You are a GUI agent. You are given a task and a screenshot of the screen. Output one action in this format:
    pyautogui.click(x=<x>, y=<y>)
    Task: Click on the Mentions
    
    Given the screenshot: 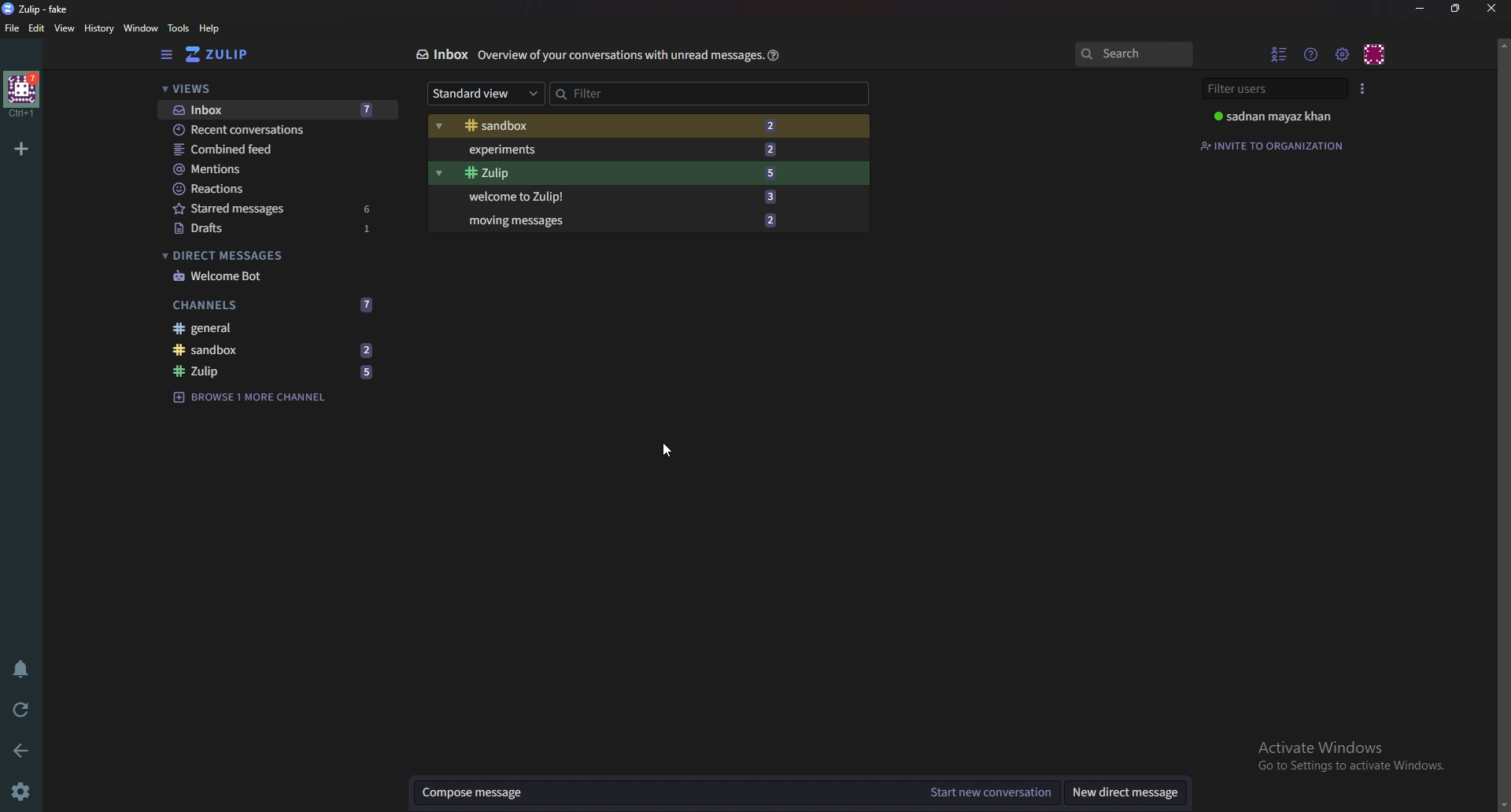 What is the action you would take?
    pyautogui.click(x=267, y=168)
    